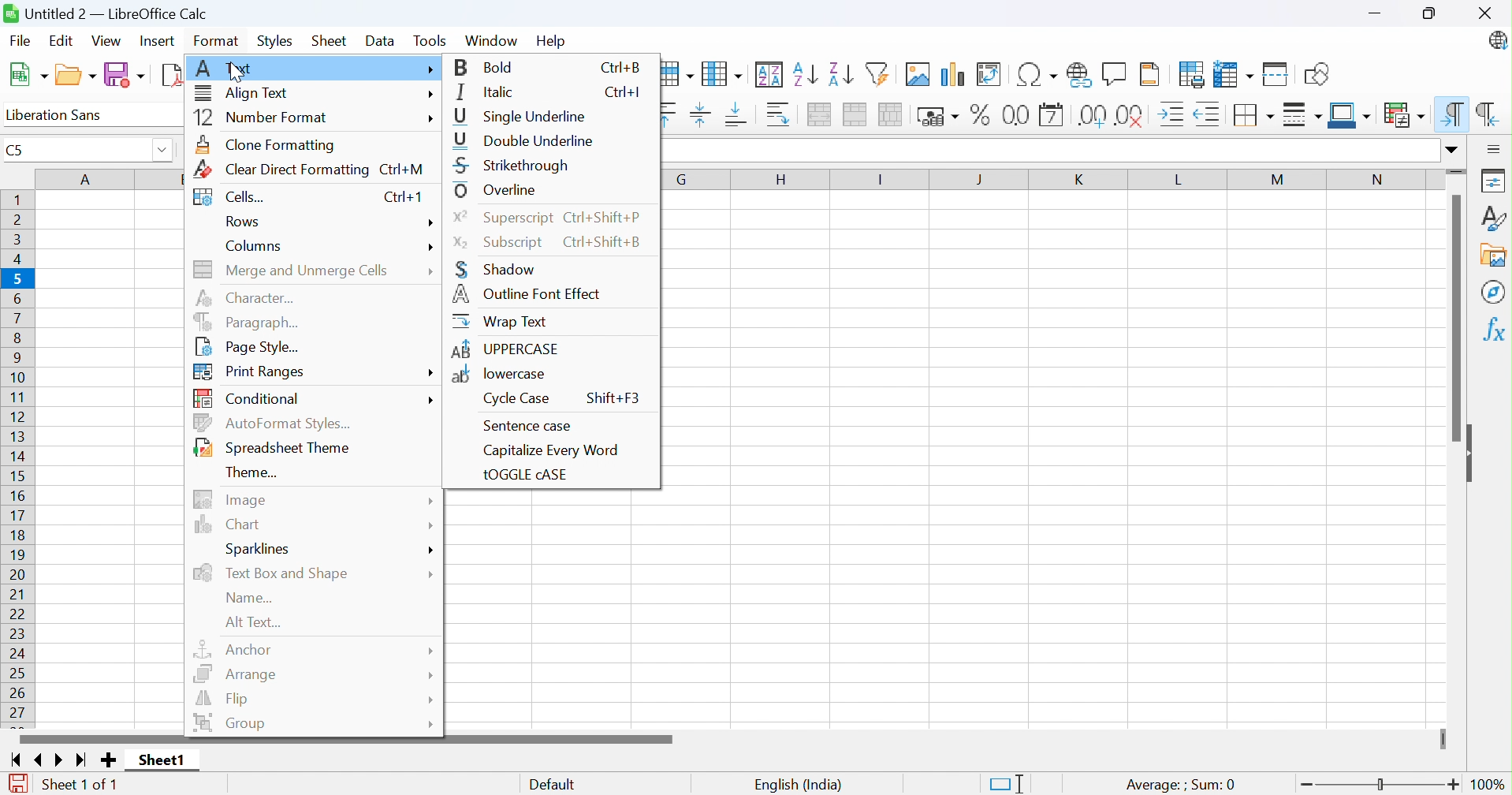  Describe the element at coordinates (529, 293) in the screenshot. I see `Outline font effect` at that location.